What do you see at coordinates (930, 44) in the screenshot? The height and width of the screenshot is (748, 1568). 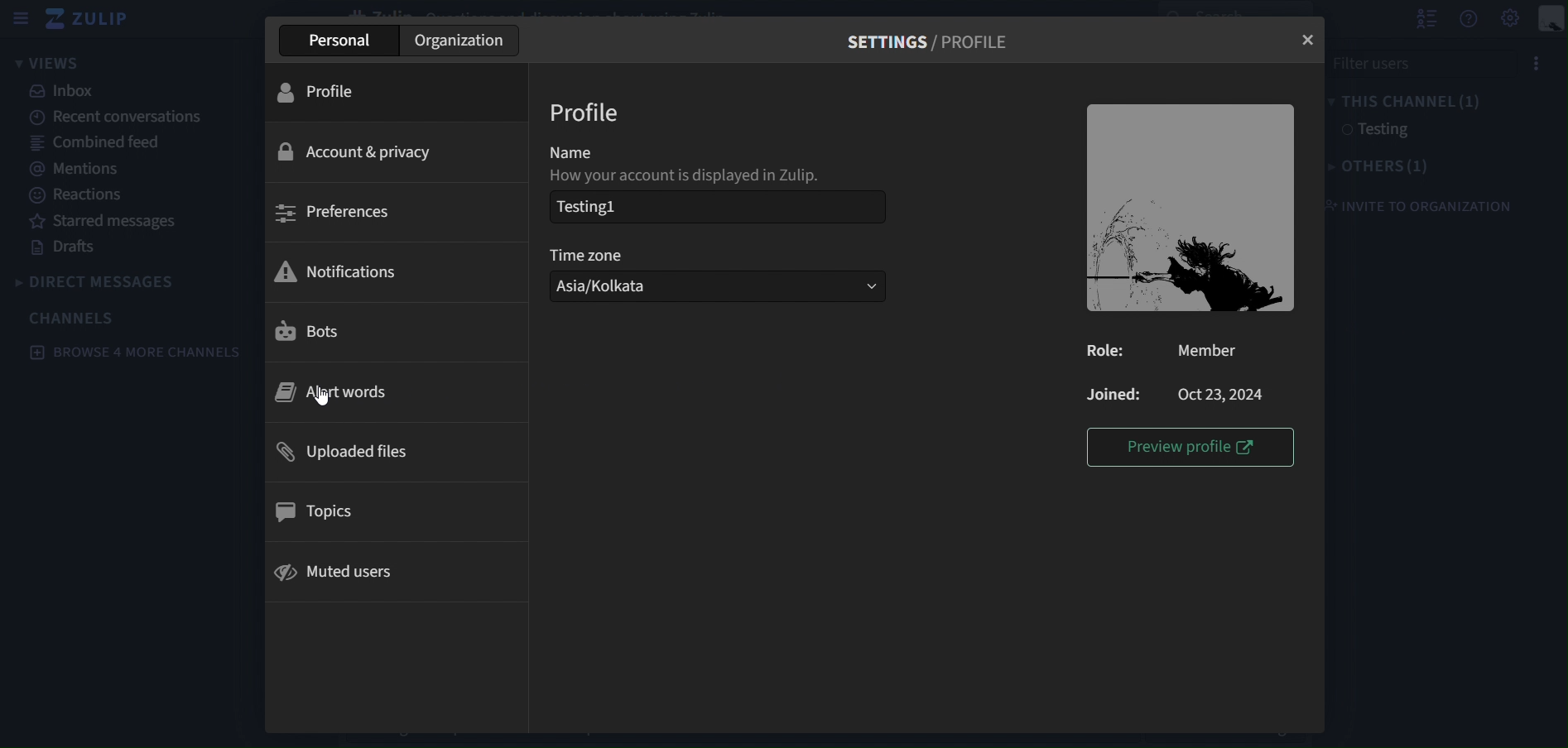 I see `settings` at bounding box center [930, 44].